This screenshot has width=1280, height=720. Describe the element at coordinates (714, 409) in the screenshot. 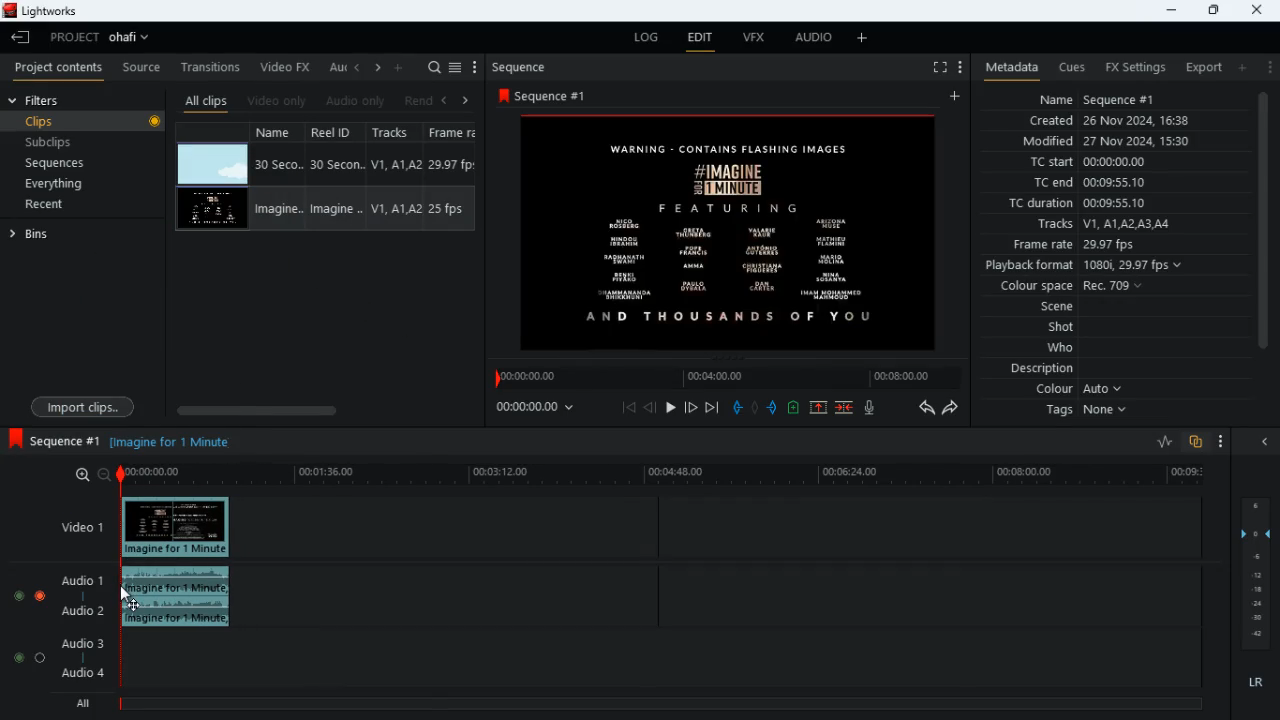

I see `end` at that location.